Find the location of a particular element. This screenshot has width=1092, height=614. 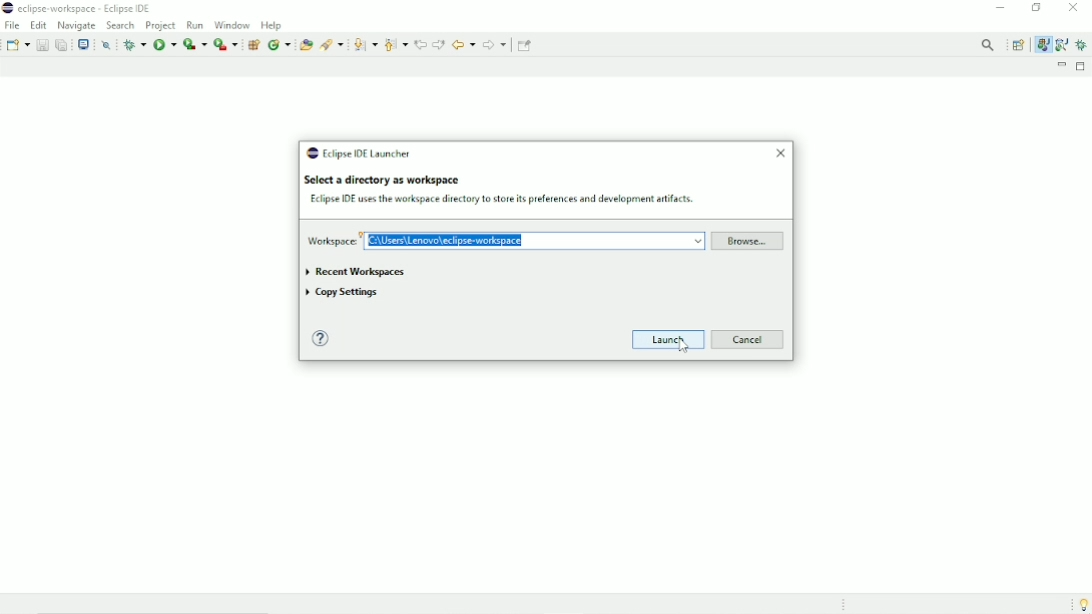

Pin editor is located at coordinates (526, 45).